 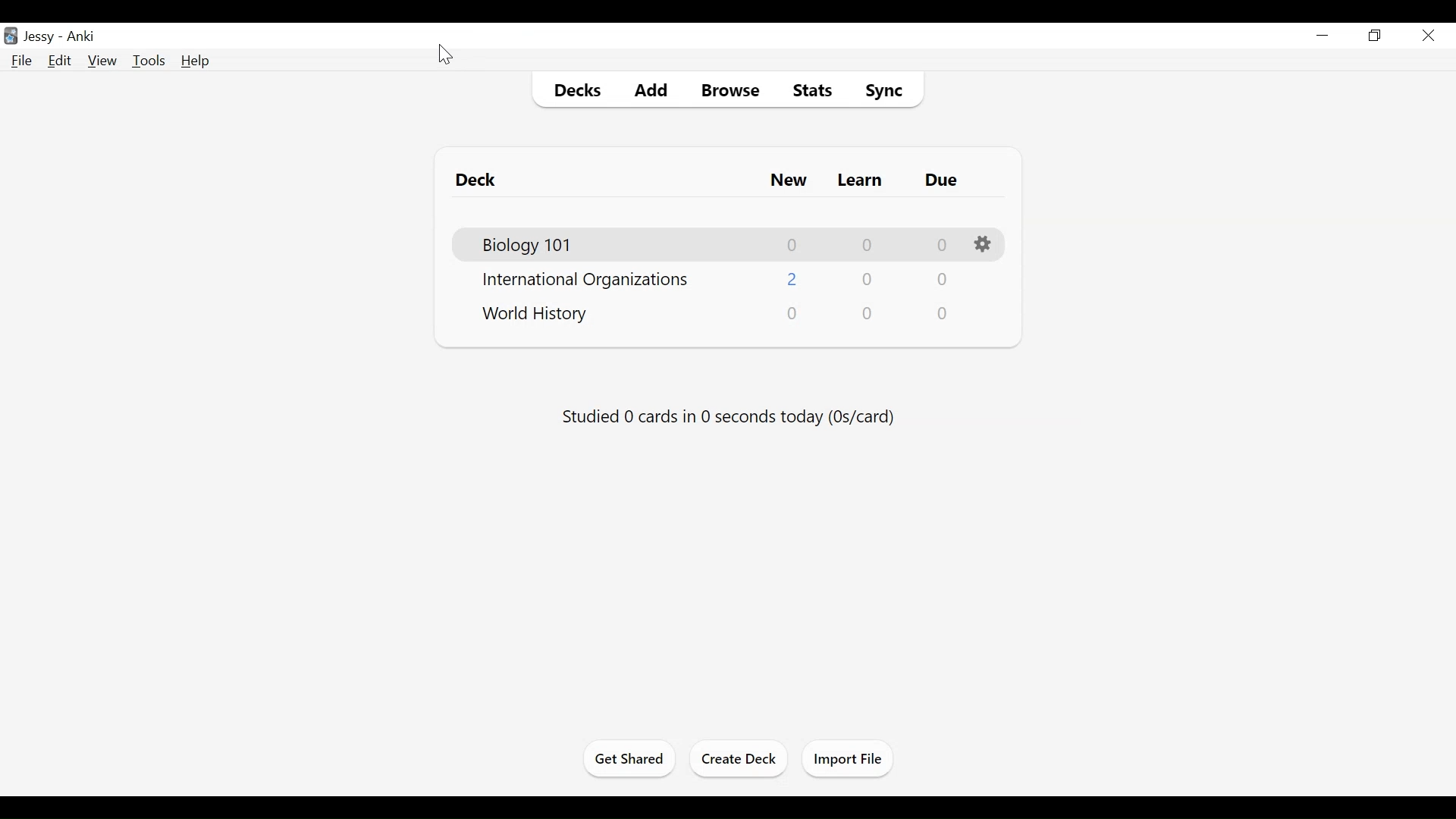 What do you see at coordinates (850, 760) in the screenshot?
I see `Import File` at bounding box center [850, 760].